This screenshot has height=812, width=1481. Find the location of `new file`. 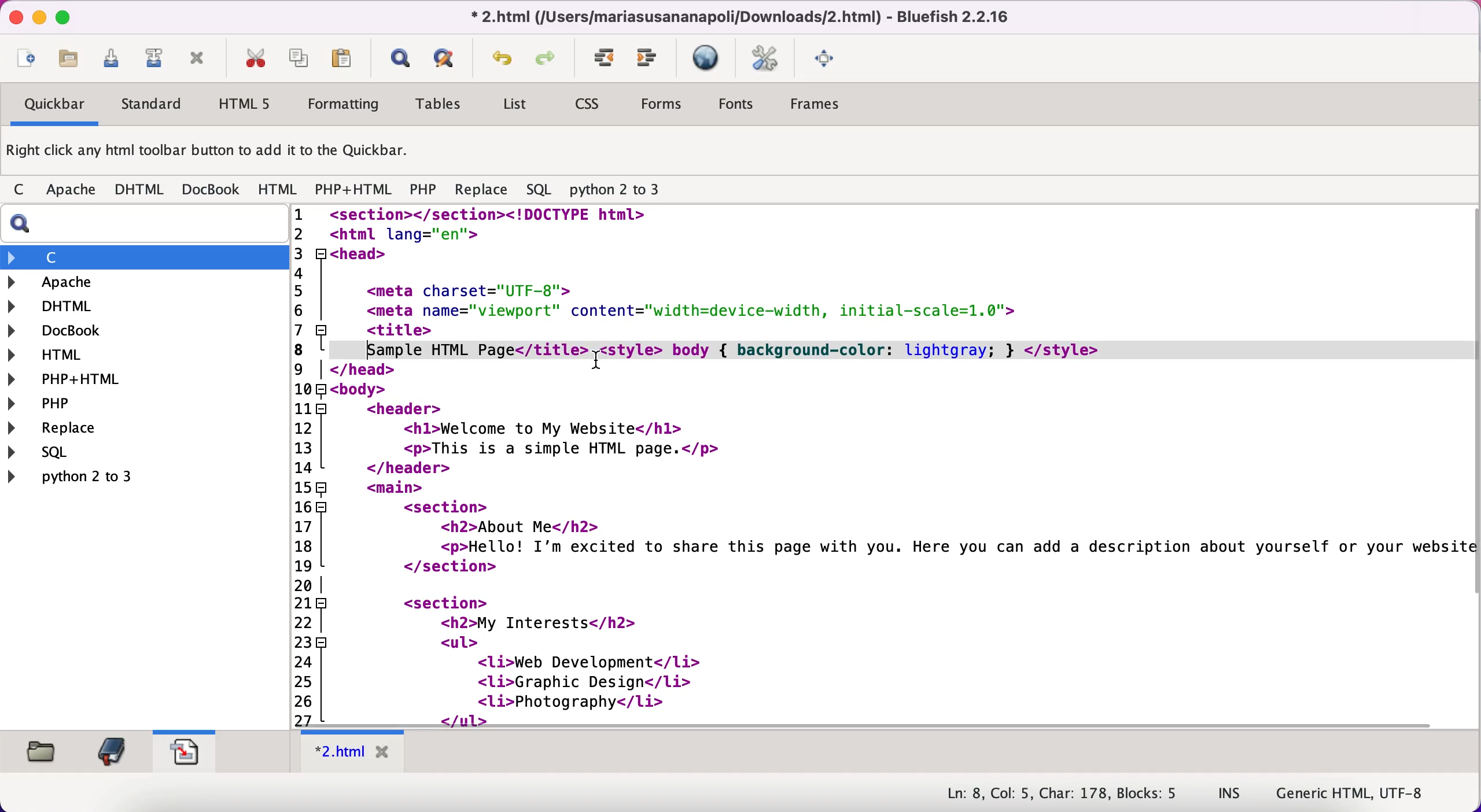

new file is located at coordinates (26, 61).